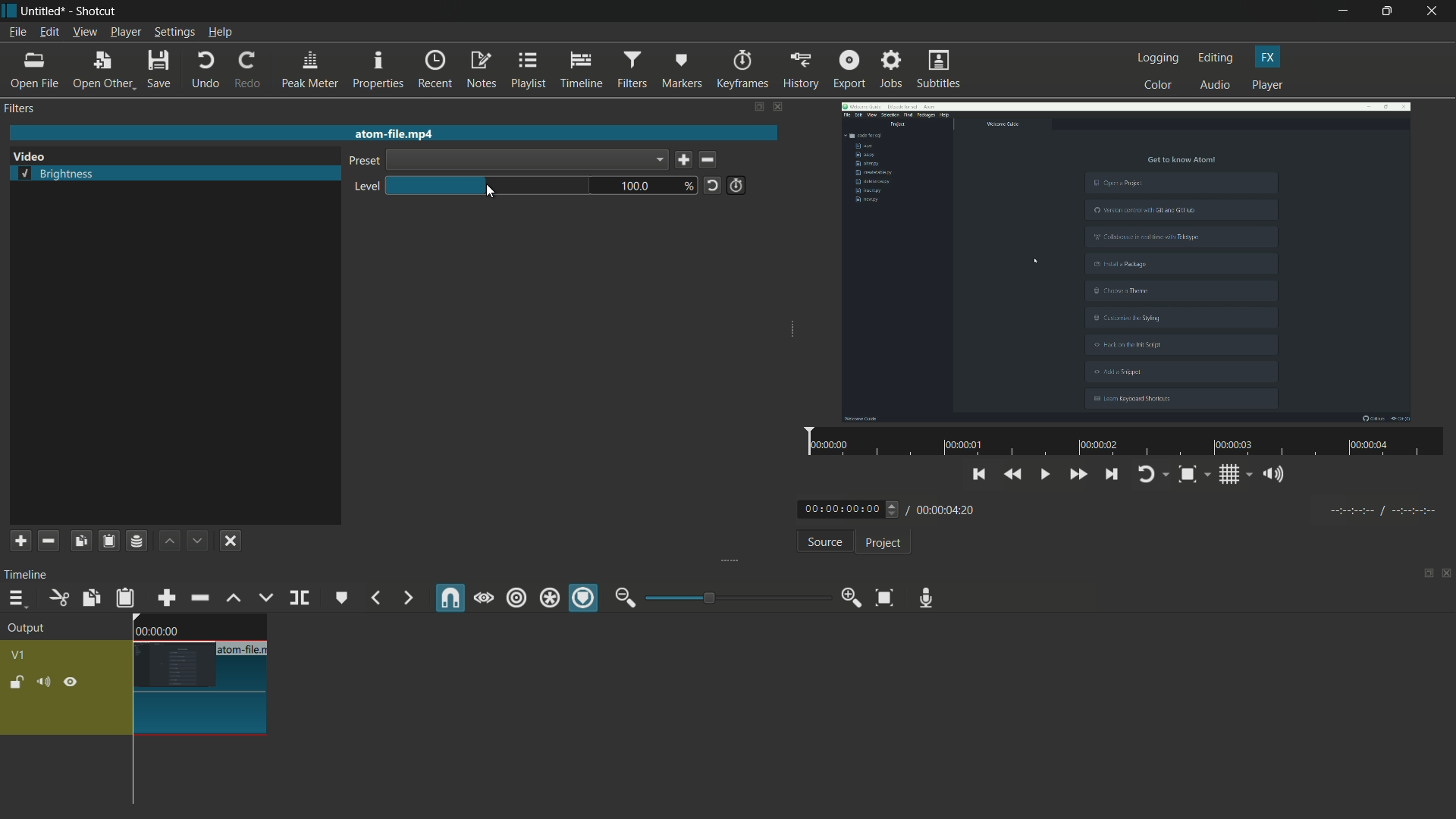 Image resolution: width=1456 pixels, height=819 pixels. What do you see at coordinates (231, 541) in the screenshot?
I see `deselect the filter` at bounding box center [231, 541].